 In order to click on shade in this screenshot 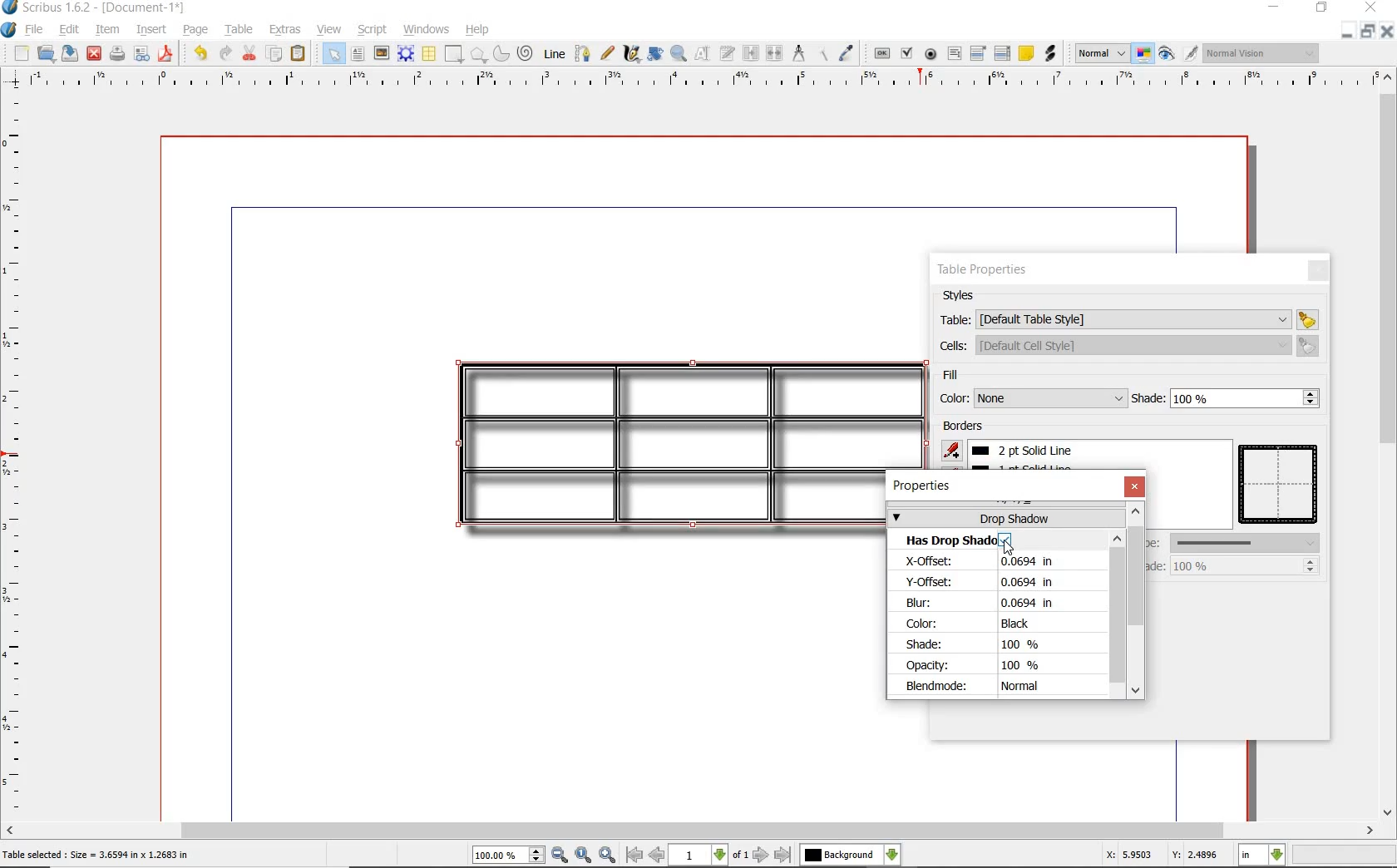, I will do `click(1228, 565)`.